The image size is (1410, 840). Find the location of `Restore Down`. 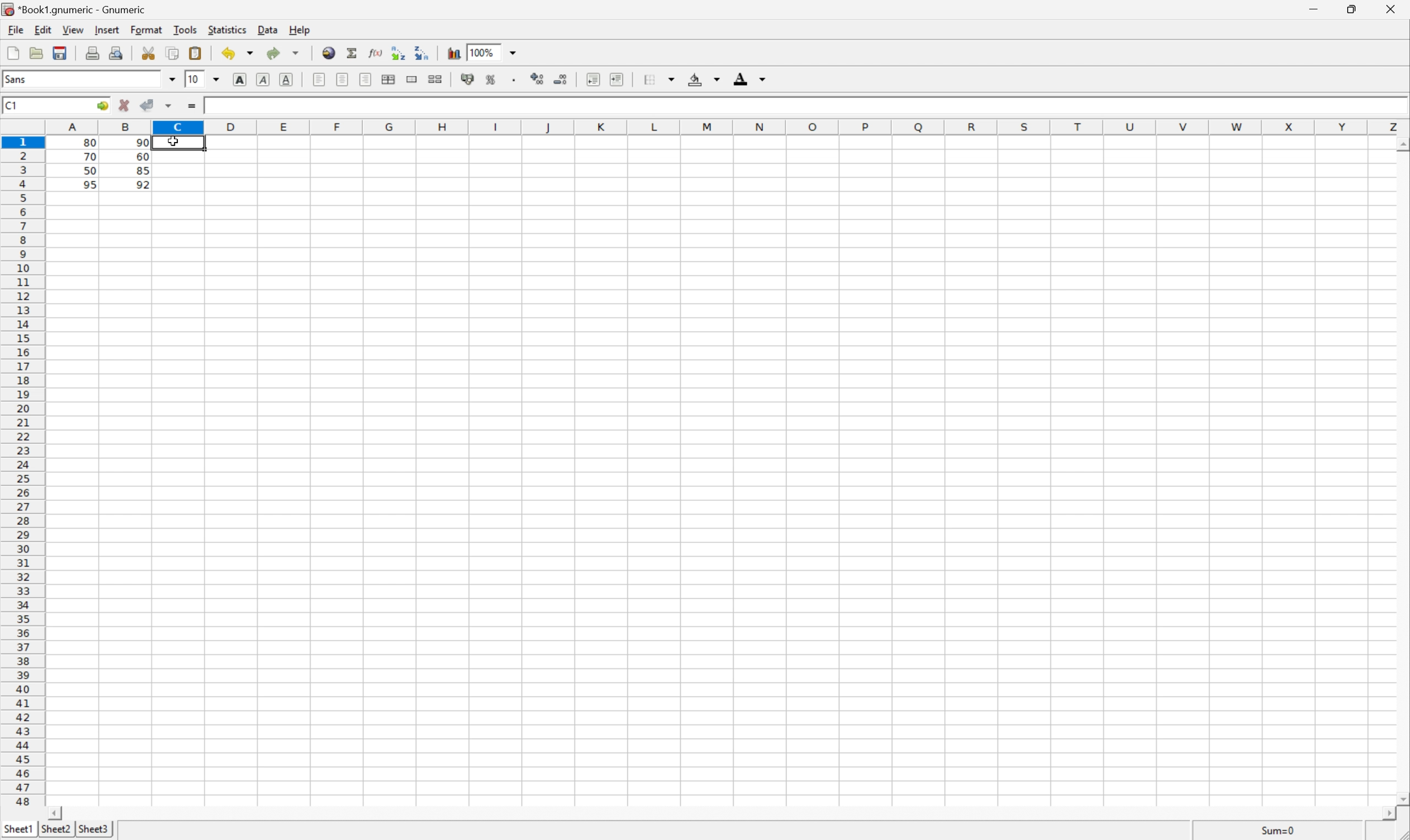

Restore Down is located at coordinates (1353, 7).